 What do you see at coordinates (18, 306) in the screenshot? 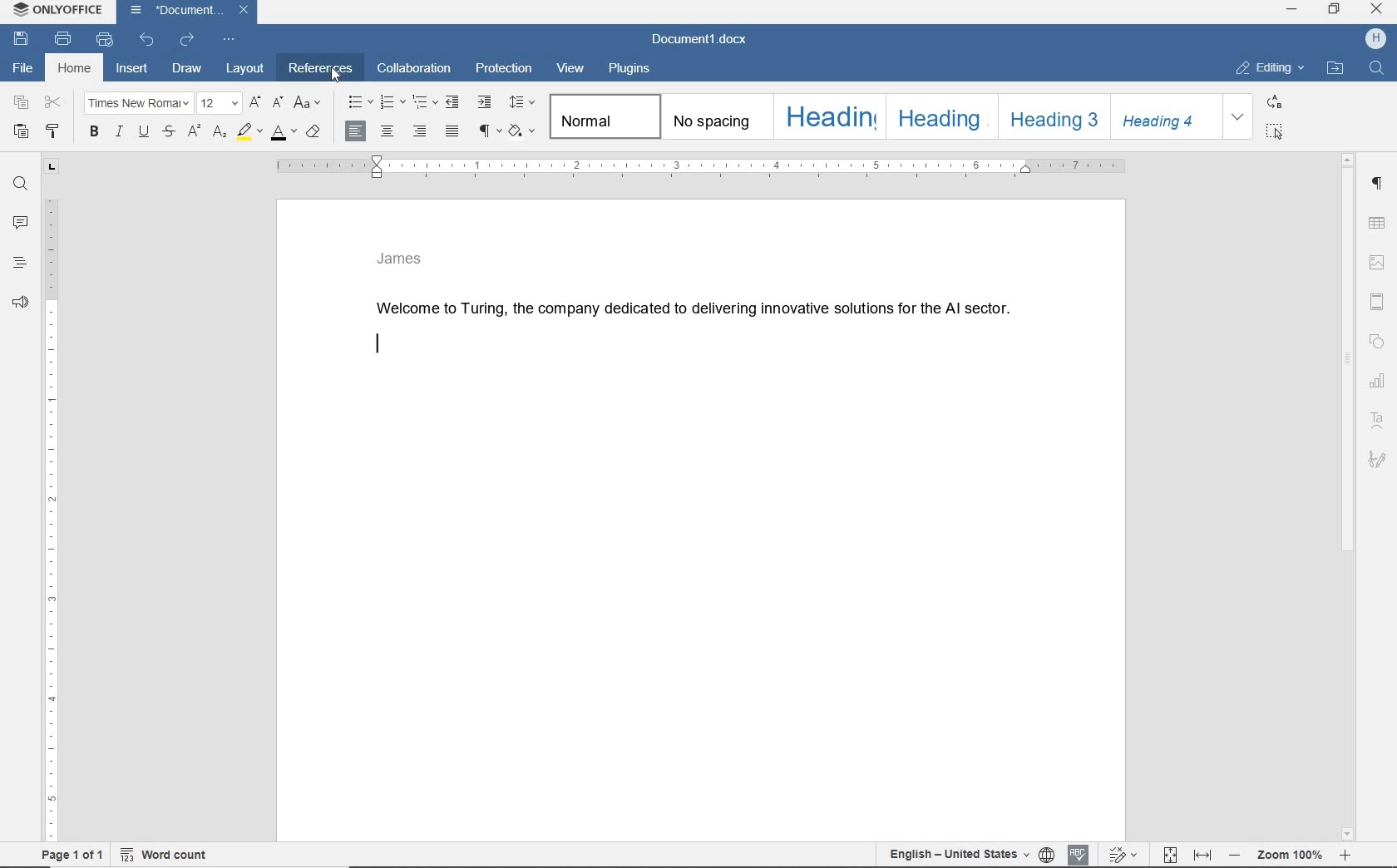
I see `feedback & support` at bounding box center [18, 306].